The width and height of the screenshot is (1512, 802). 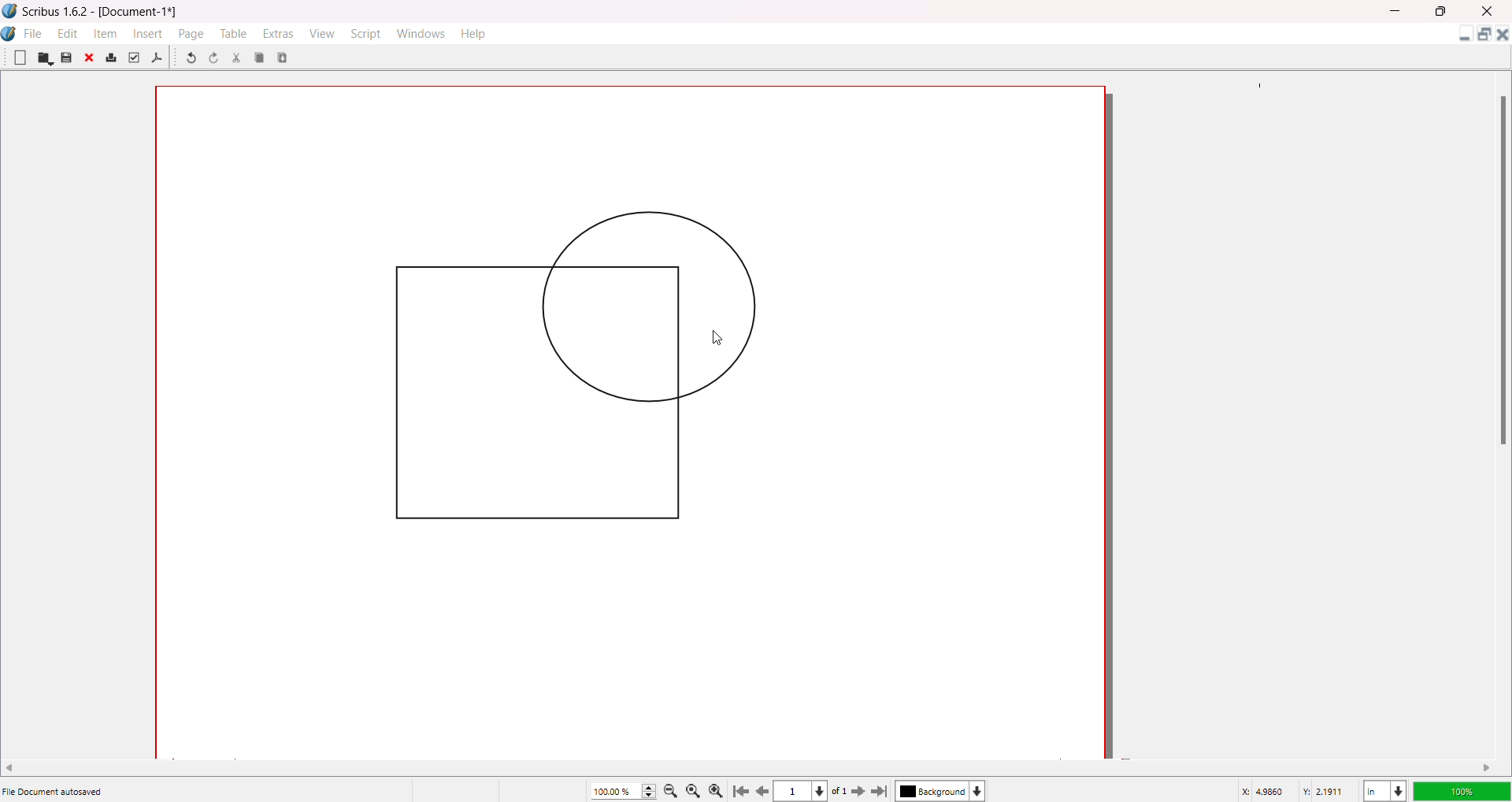 I want to click on Redo, so click(x=217, y=60).